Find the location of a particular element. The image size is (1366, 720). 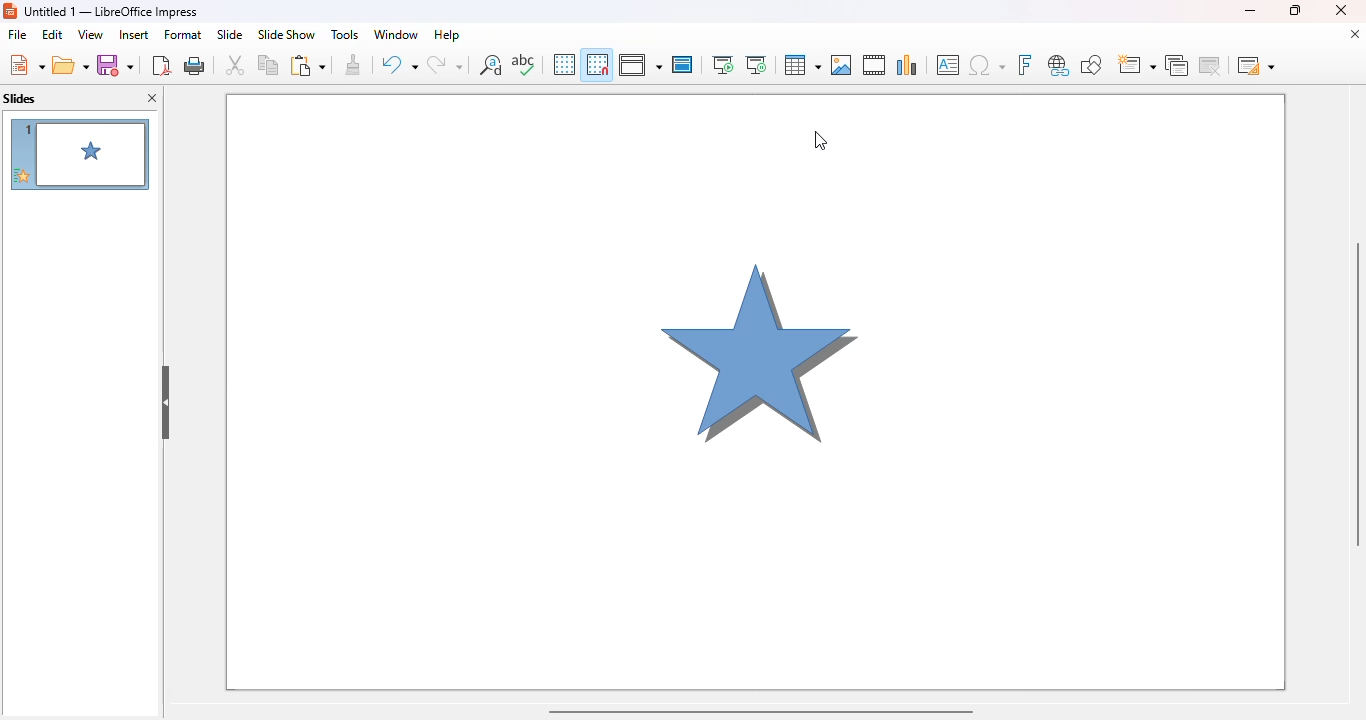

edit is located at coordinates (53, 34).